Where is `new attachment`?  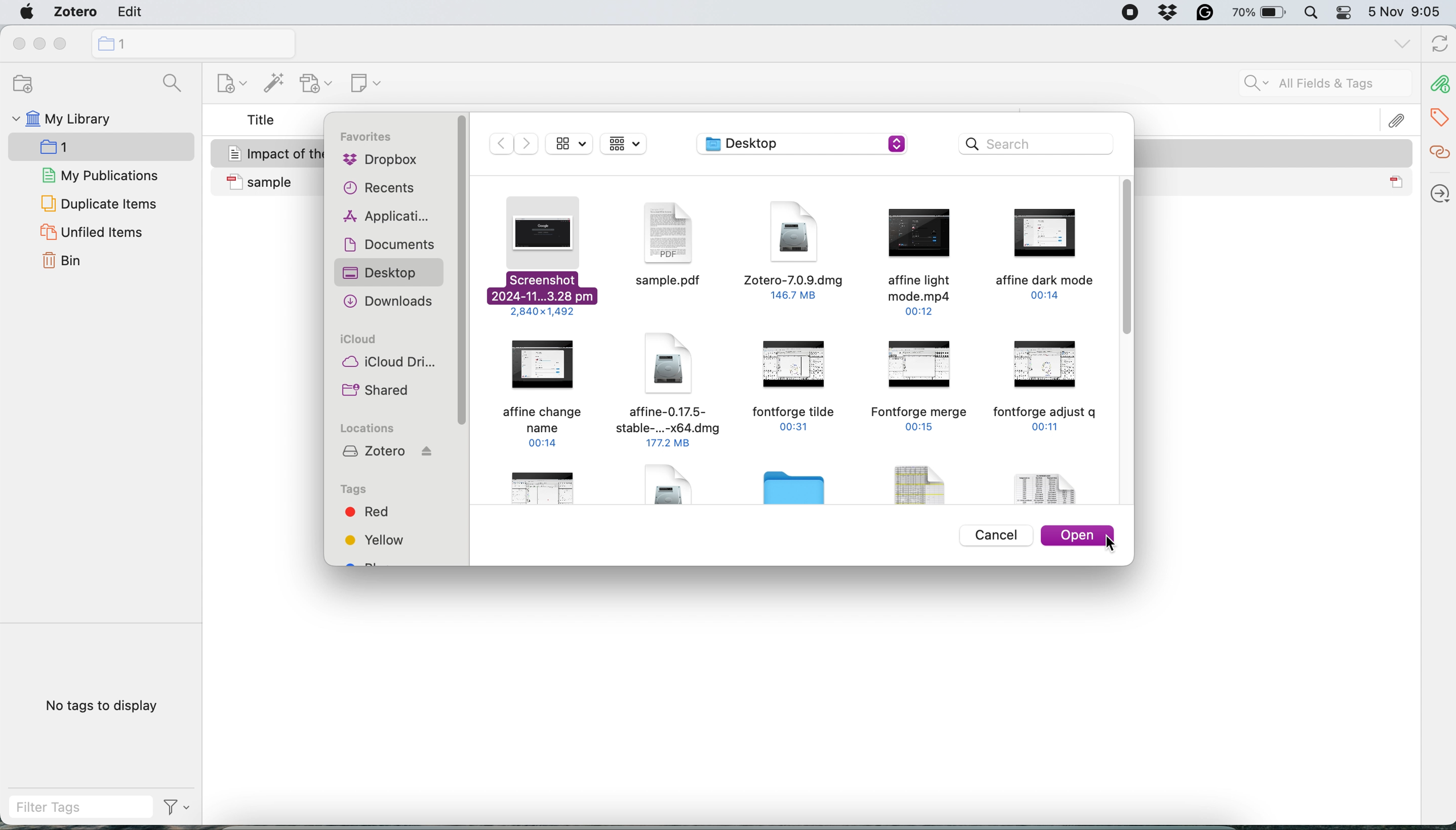 new attachment is located at coordinates (318, 83).